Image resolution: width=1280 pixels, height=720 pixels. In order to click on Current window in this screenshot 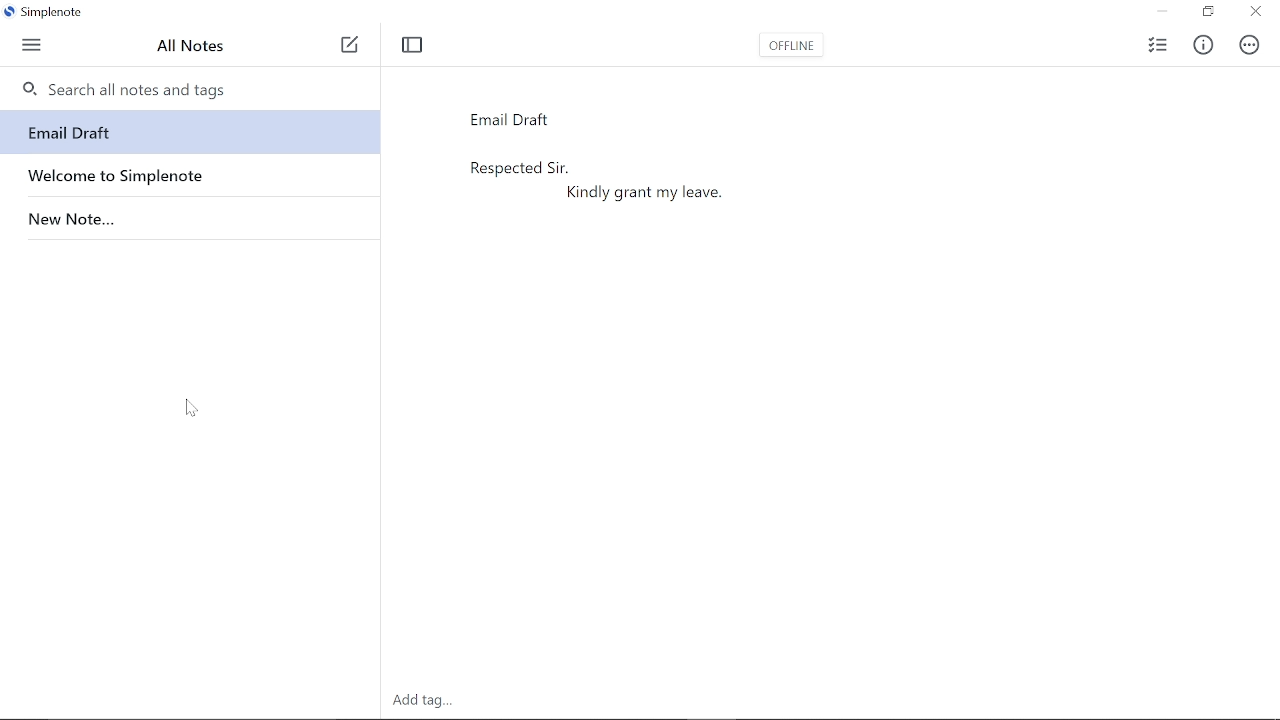, I will do `click(49, 14)`.